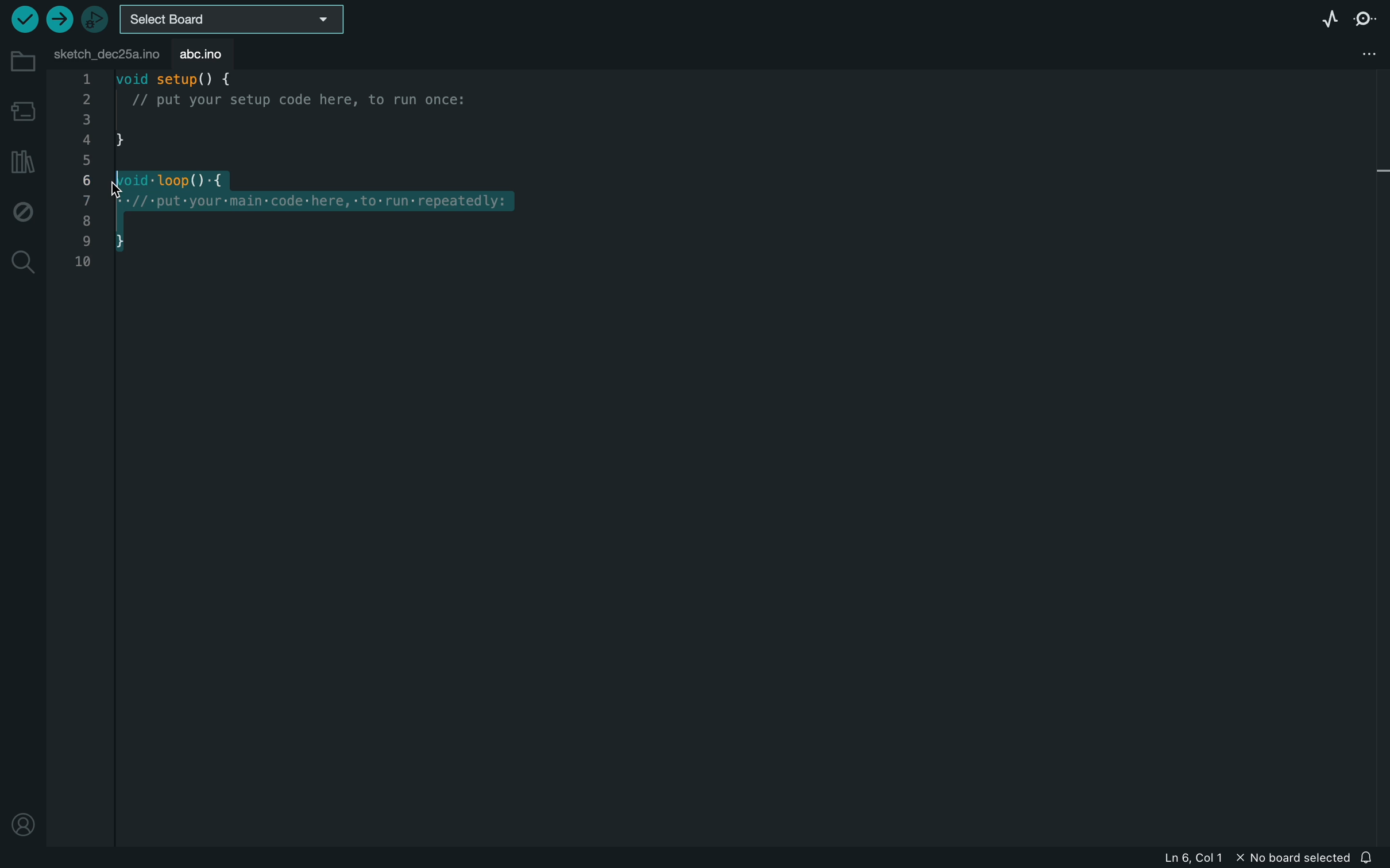 Image resolution: width=1390 pixels, height=868 pixels. Describe the element at coordinates (20, 61) in the screenshot. I see `folder` at that location.